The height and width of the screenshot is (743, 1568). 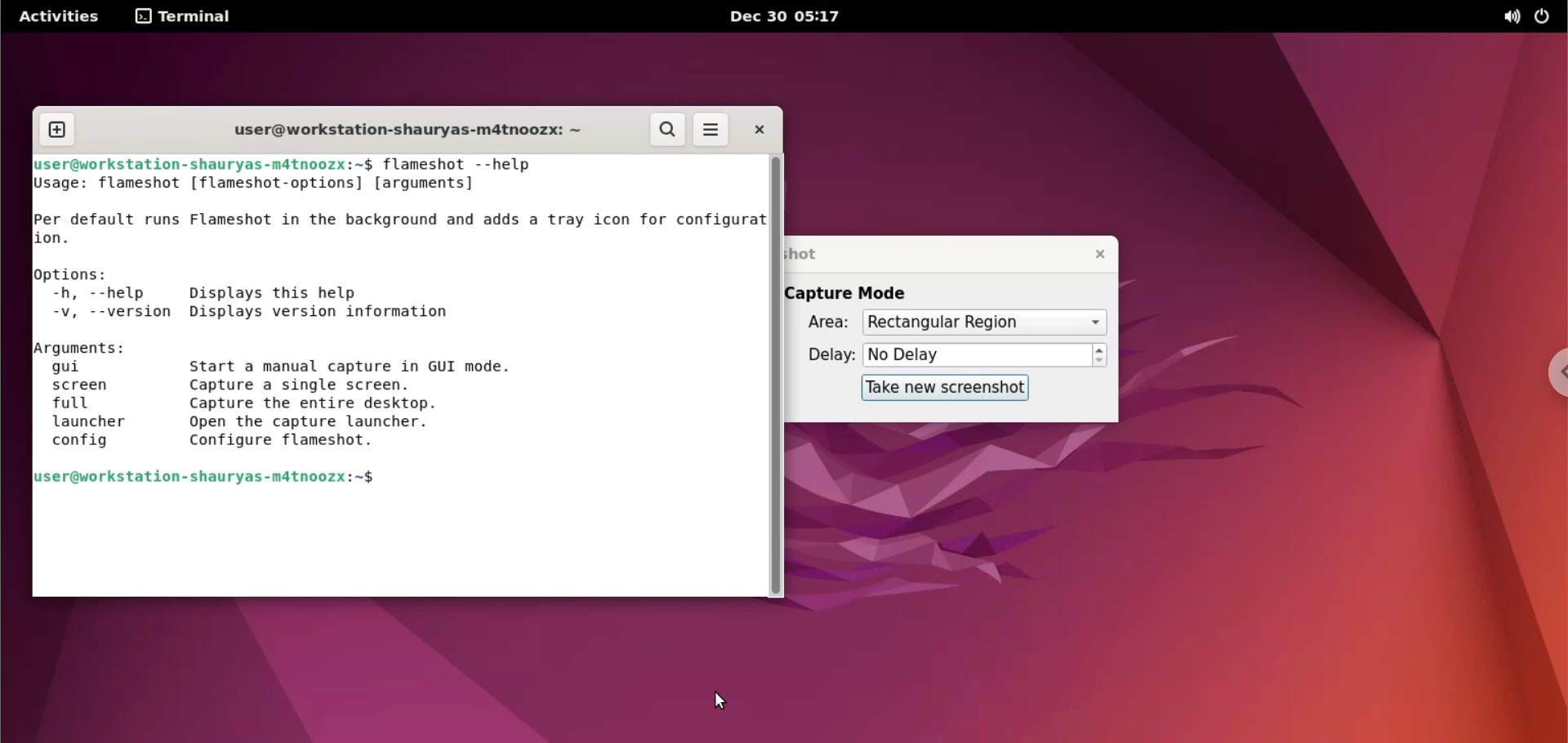 I want to click on menu , so click(x=715, y=129).